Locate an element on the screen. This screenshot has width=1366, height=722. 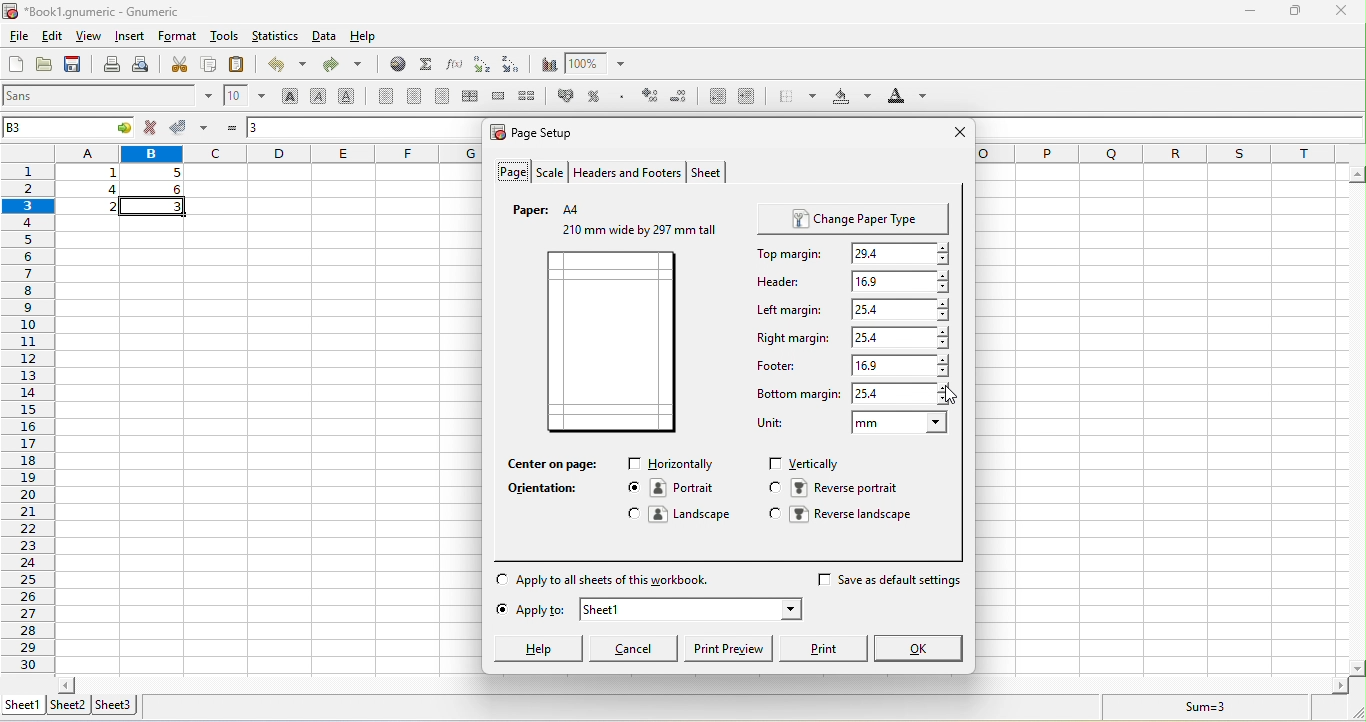
chart is located at coordinates (550, 64).